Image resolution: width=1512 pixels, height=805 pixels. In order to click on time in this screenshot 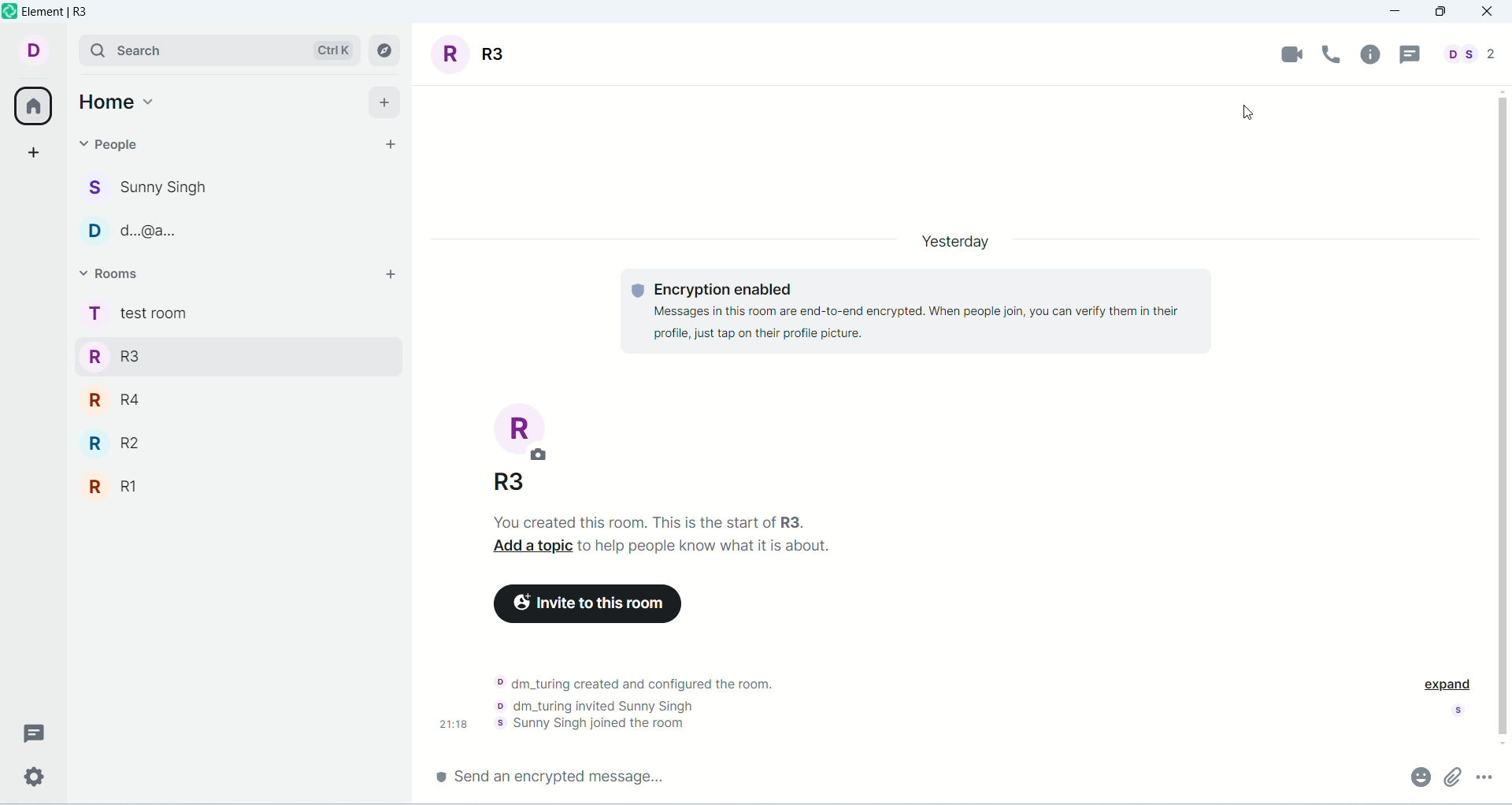, I will do `click(455, 723)`.